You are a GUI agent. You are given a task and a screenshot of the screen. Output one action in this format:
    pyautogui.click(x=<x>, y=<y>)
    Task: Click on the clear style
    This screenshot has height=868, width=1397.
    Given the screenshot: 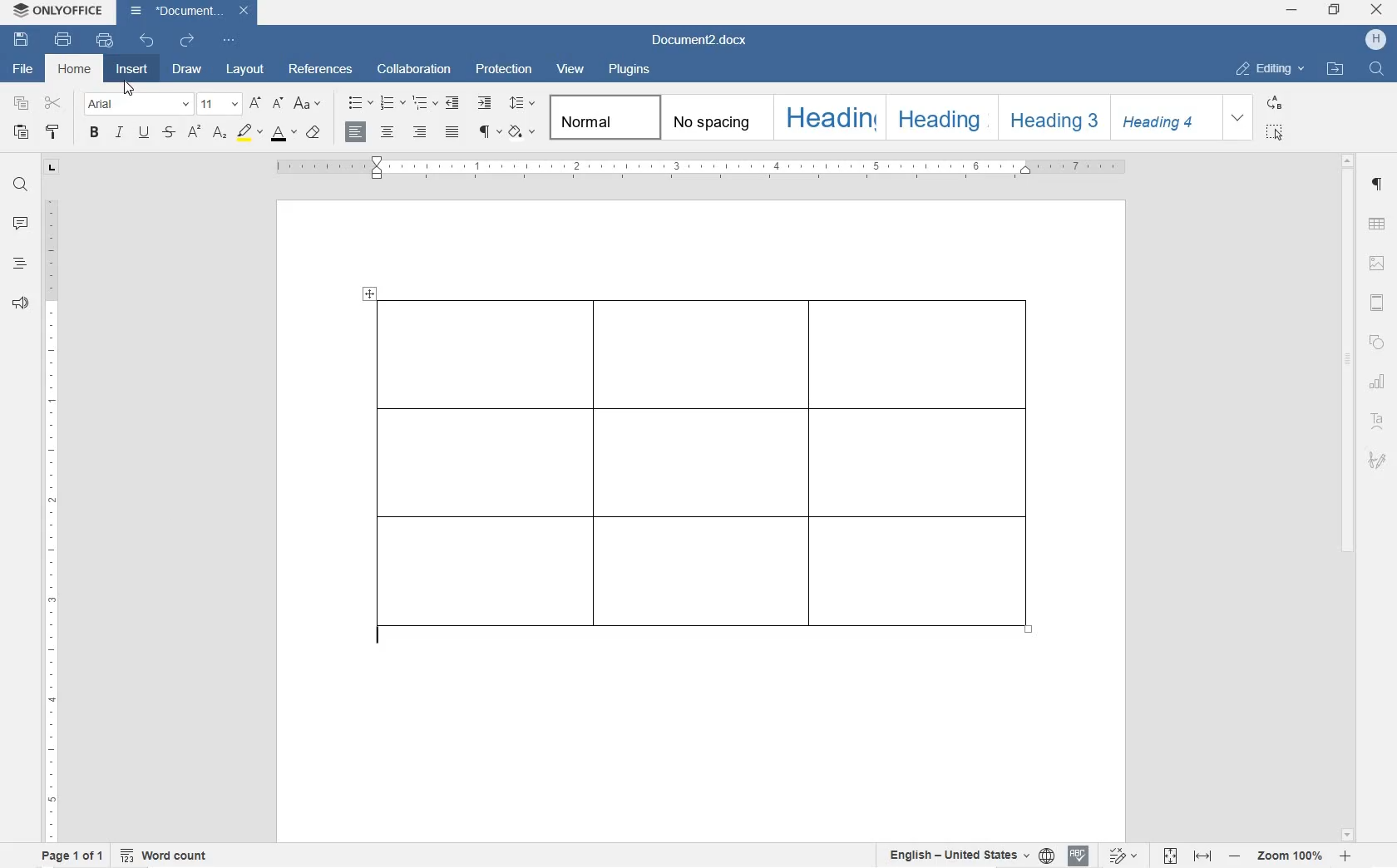 What is the action you would take?
    pyautogui.click(x=315, y=132)
    